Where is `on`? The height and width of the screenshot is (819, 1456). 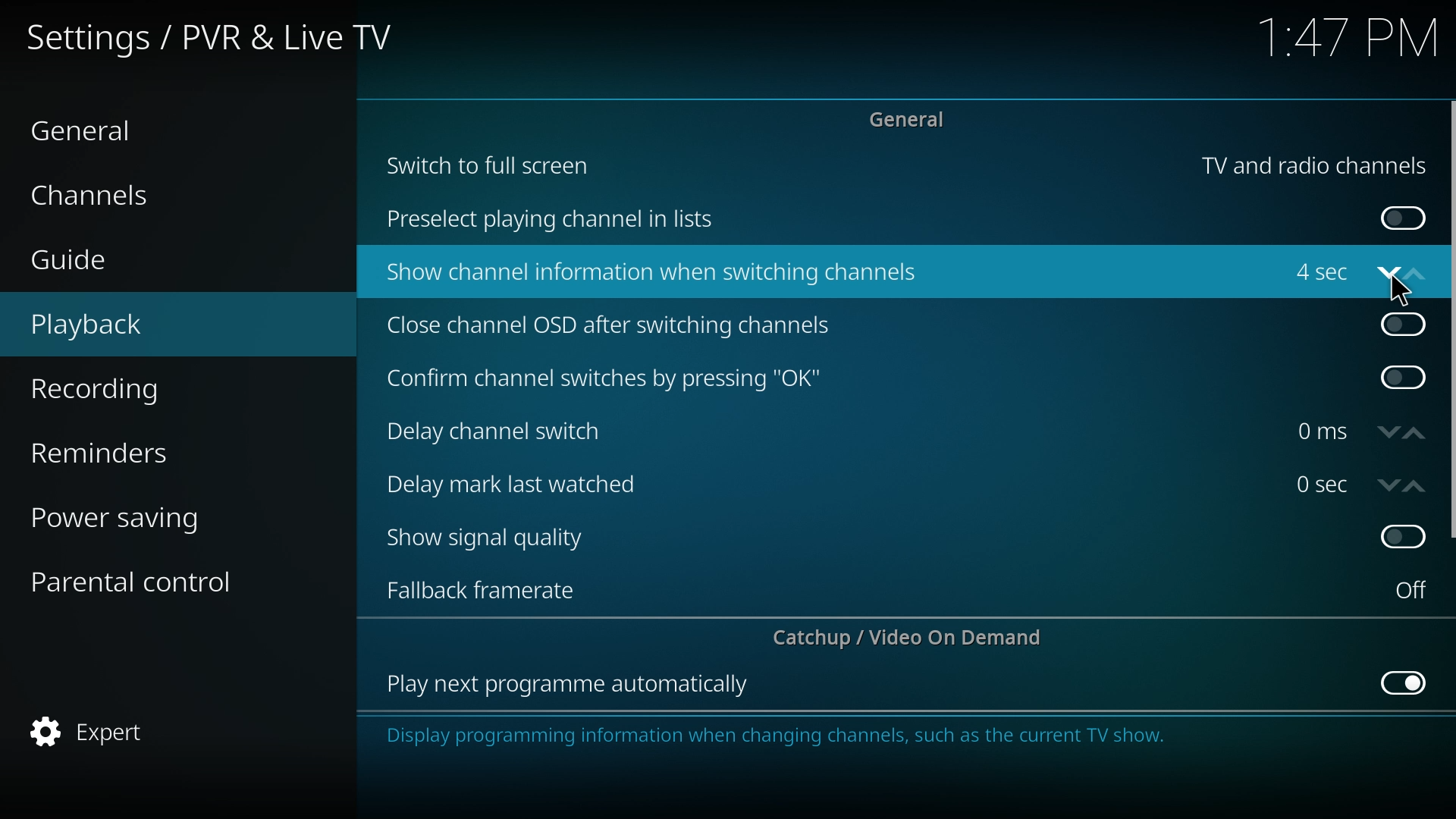 on is located at coordinates (1404, 219).